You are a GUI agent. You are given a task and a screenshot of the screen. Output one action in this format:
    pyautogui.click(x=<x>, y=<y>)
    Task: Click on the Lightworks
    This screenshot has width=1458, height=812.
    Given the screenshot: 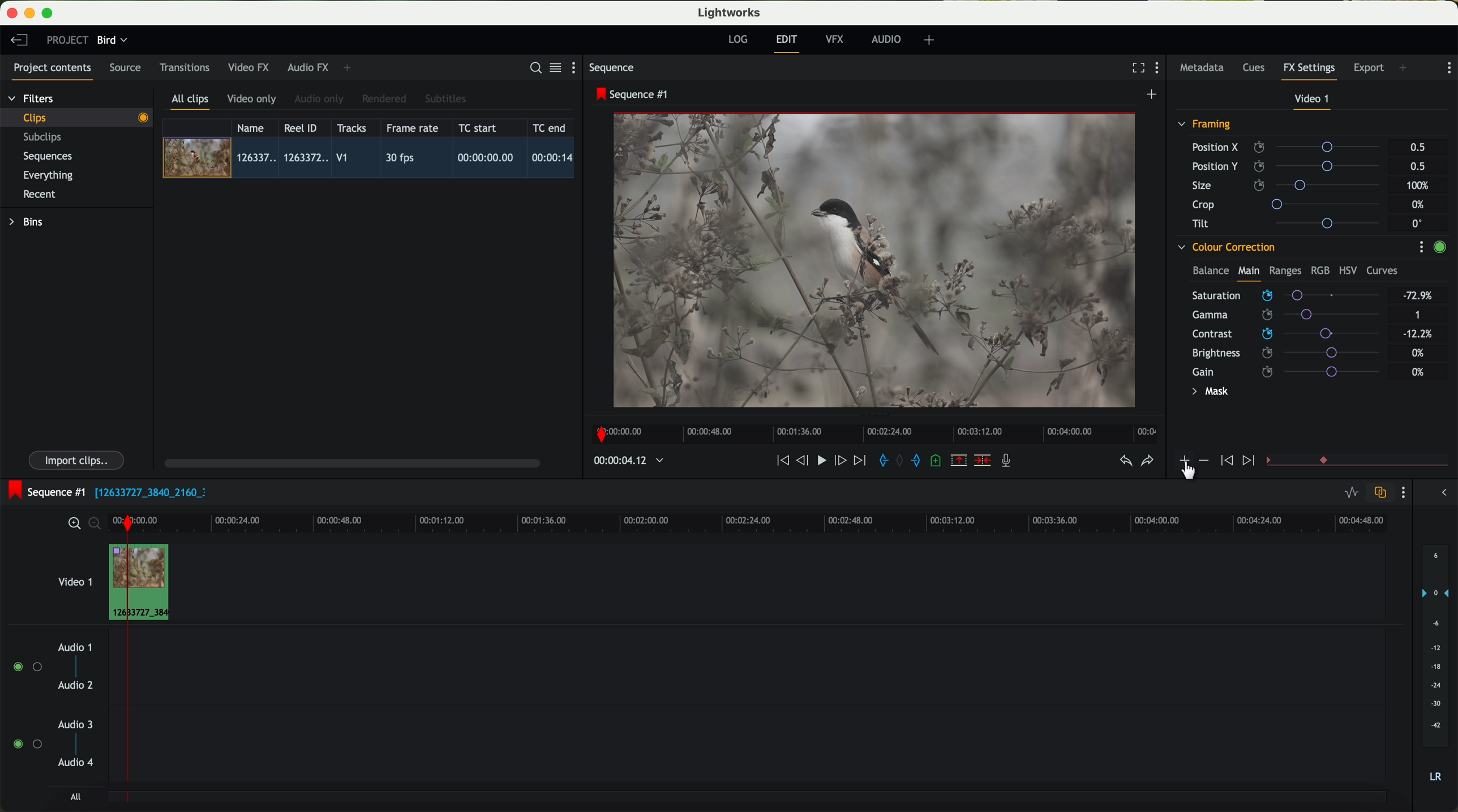 What is the action you would take?
    pyautogui.click(x=730, y=12)
    